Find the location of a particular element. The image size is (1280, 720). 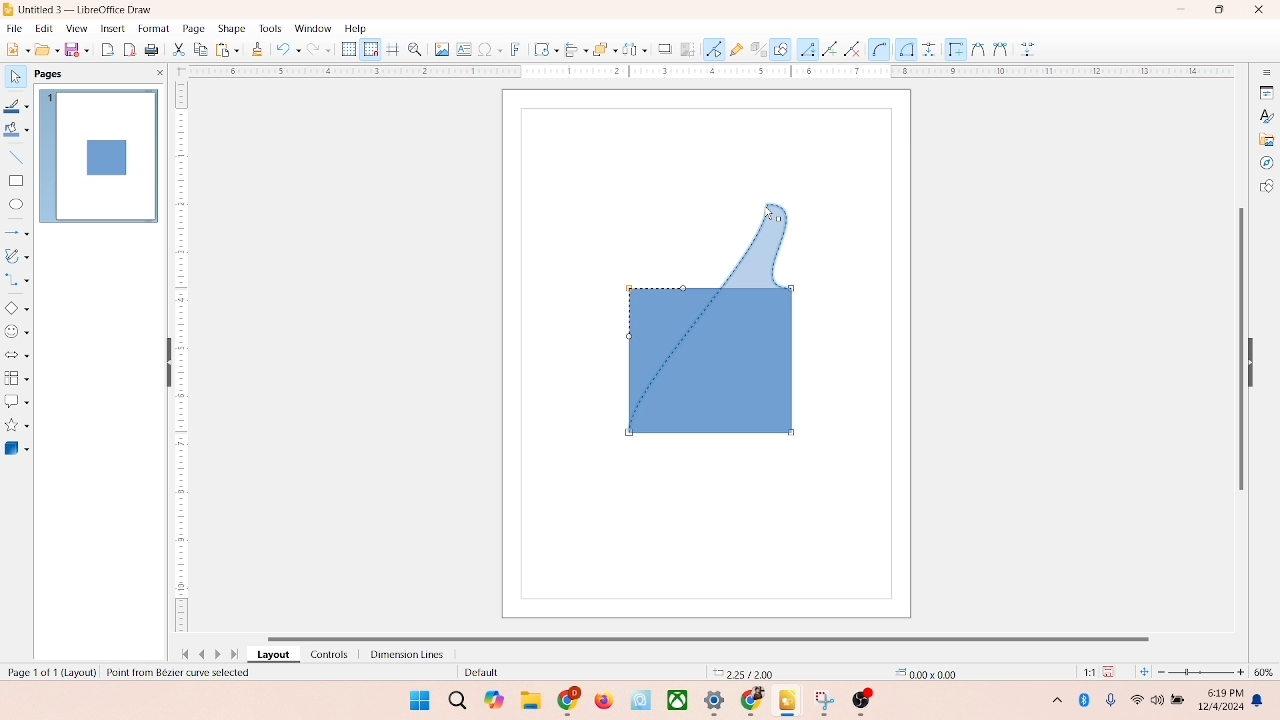

cursor is located at coordinates (768, 217).